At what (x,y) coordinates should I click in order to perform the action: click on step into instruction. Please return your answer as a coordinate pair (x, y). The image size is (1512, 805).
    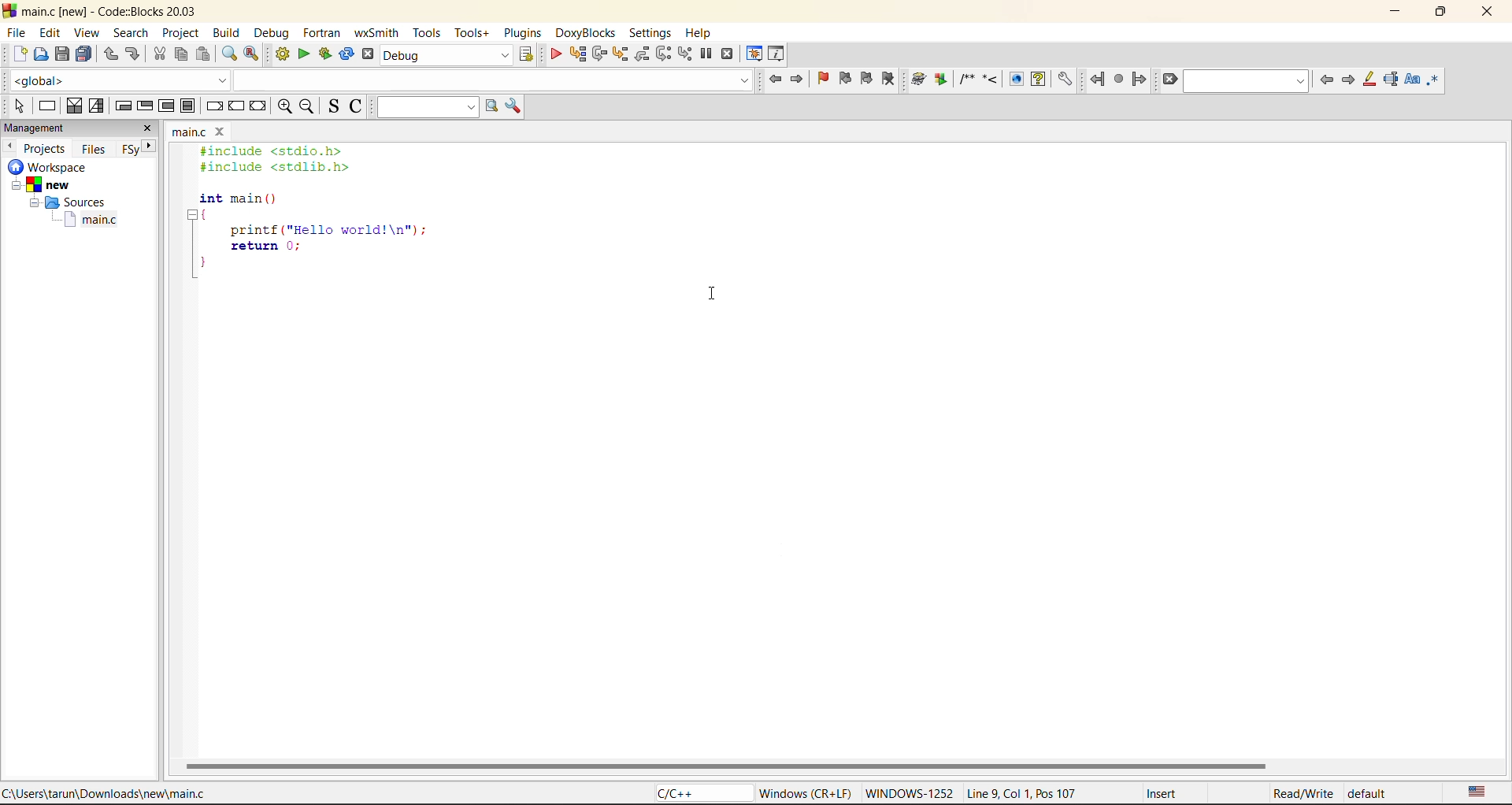
    Looking at the image, I should click on (685, 54).